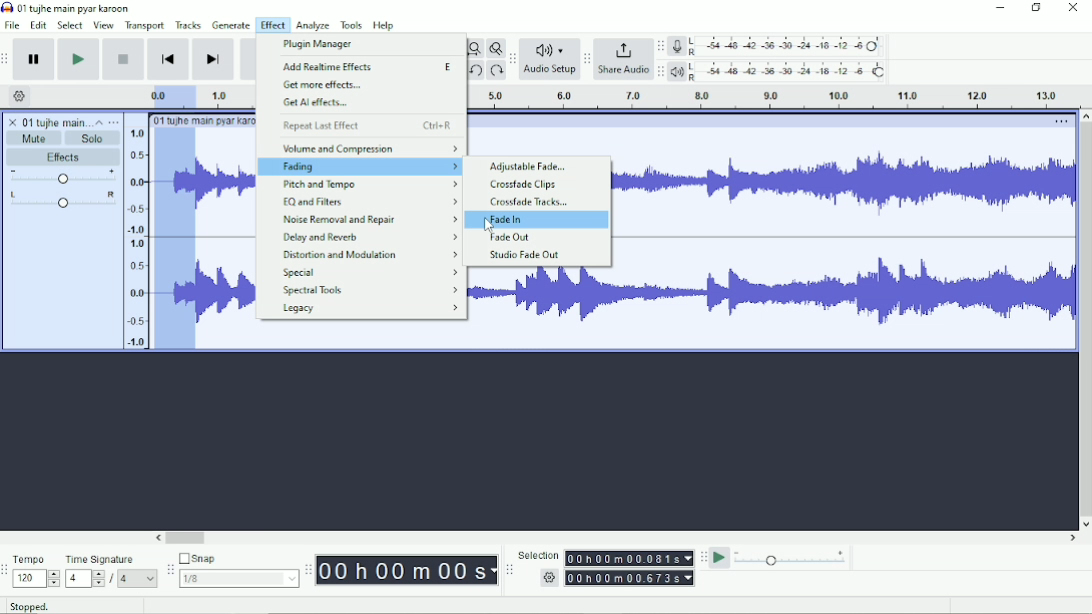  Describe the element at coordinates (14, 122) in the screenshot. I see `cancel logo` at that location.